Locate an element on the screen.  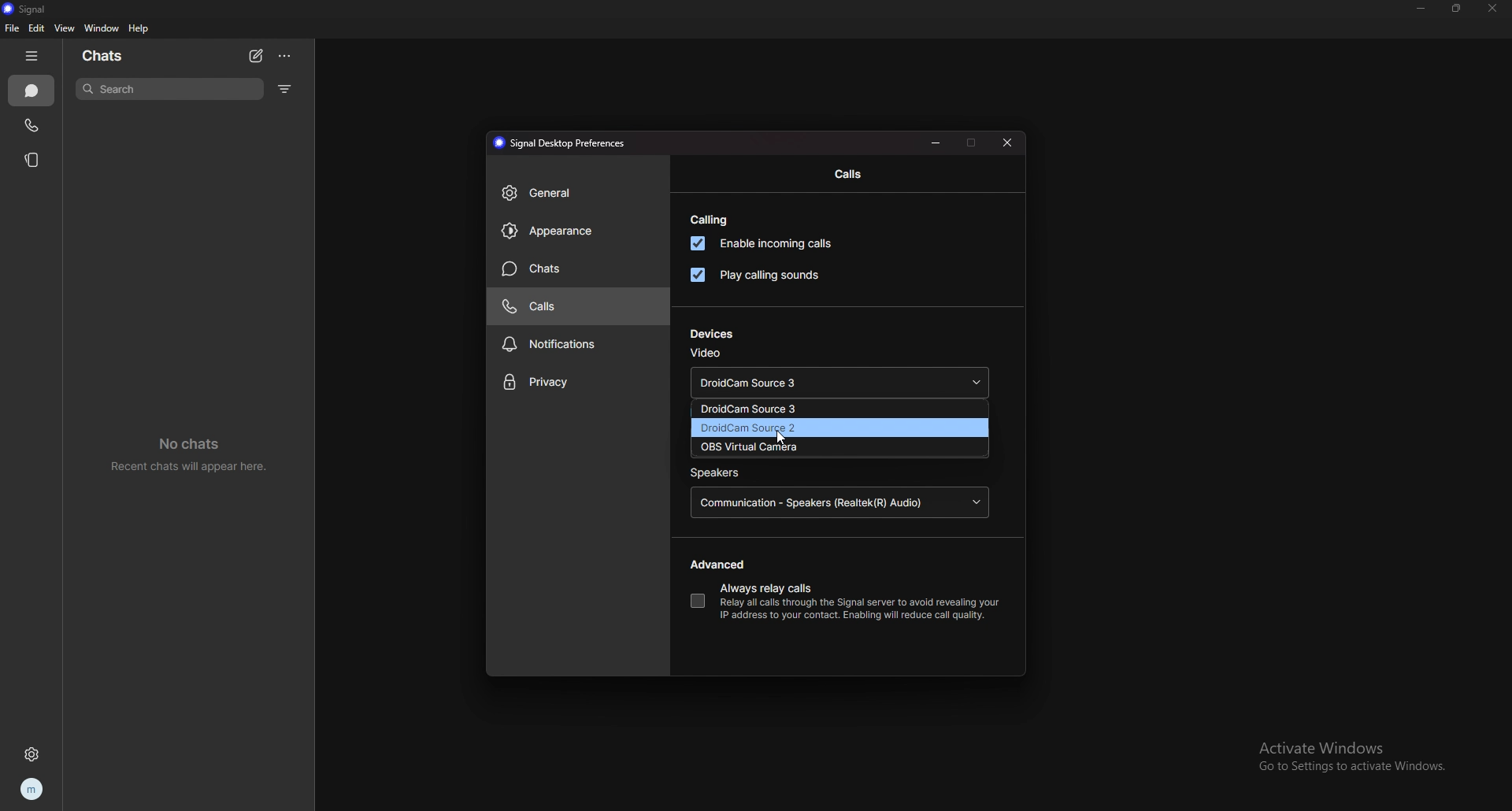
help is located at coordinates (139, 29).